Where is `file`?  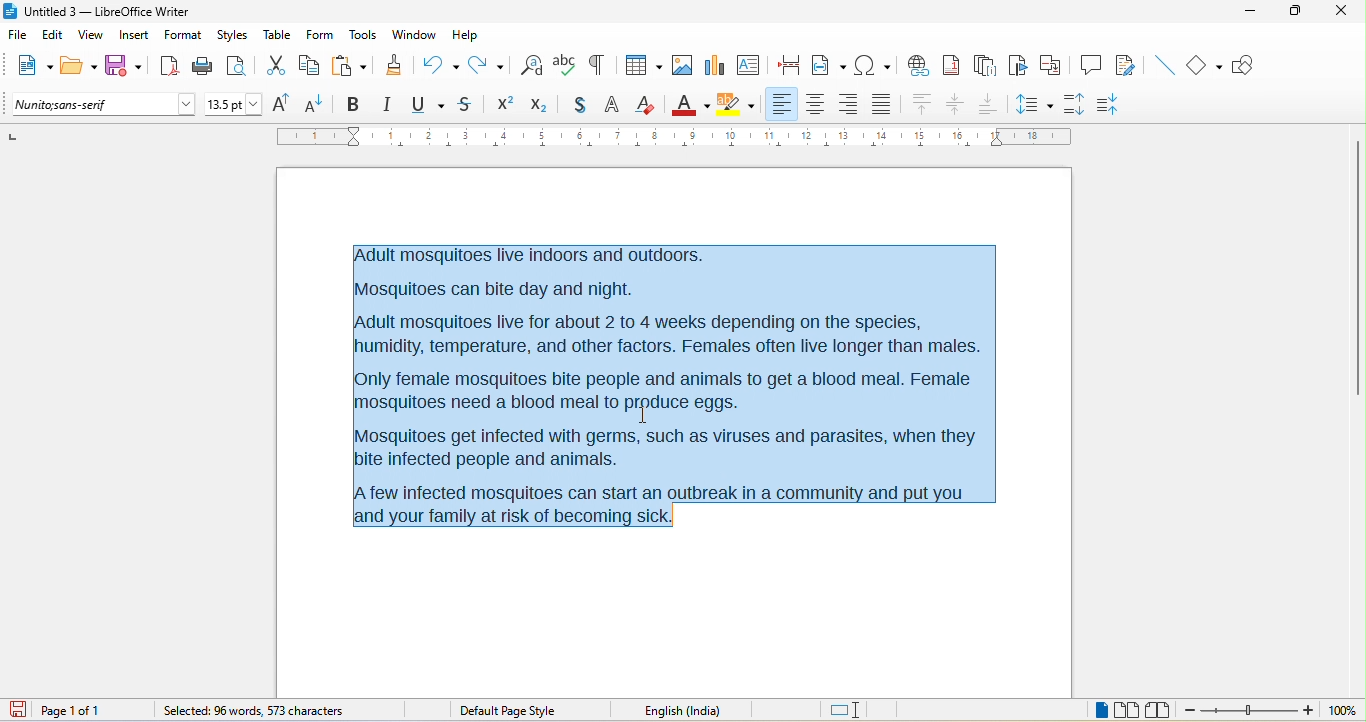 file is located at coordinates (18, 36).